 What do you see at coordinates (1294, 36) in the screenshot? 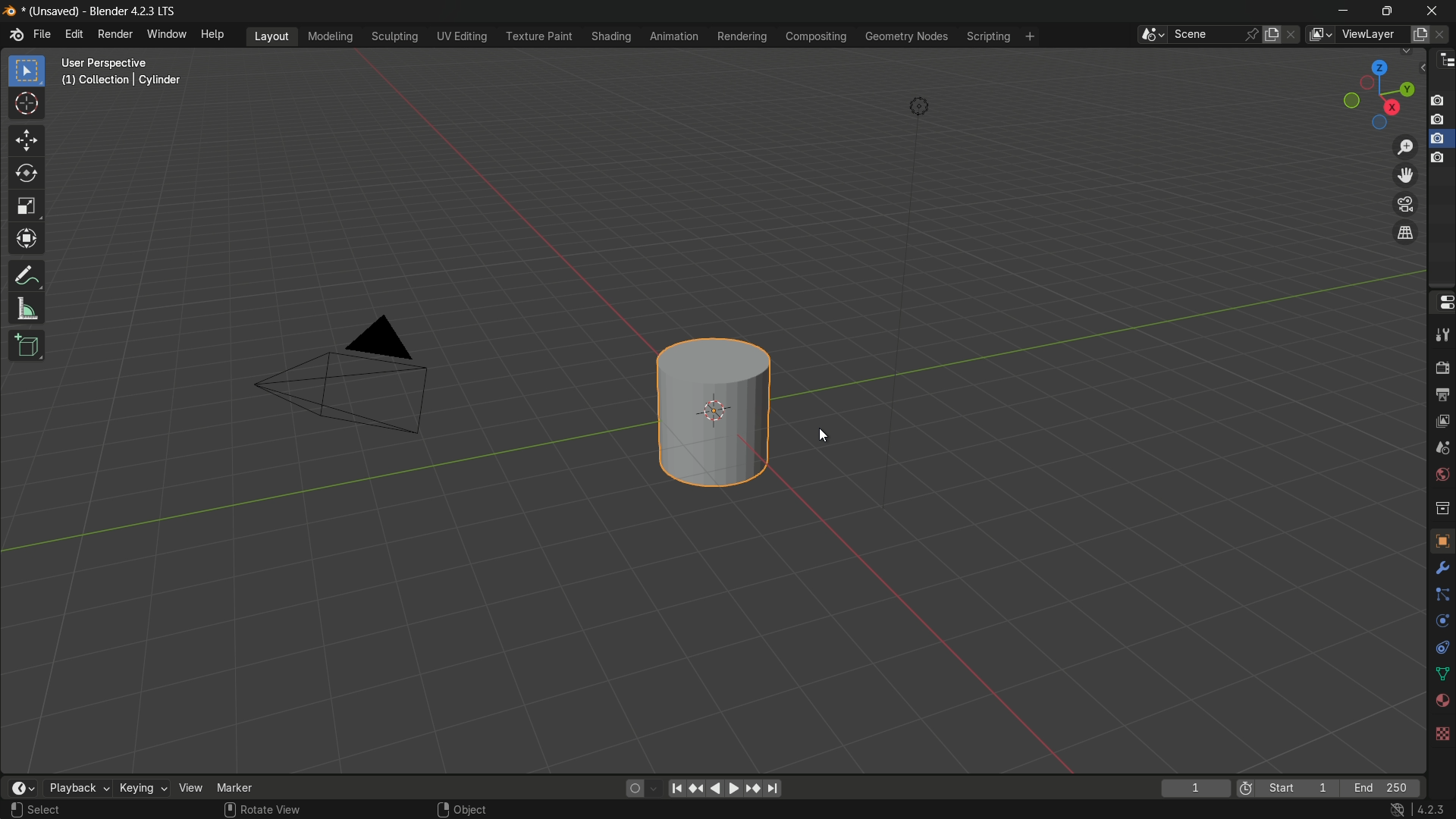
I see `delete scene` at bounding box center [1294, 36].